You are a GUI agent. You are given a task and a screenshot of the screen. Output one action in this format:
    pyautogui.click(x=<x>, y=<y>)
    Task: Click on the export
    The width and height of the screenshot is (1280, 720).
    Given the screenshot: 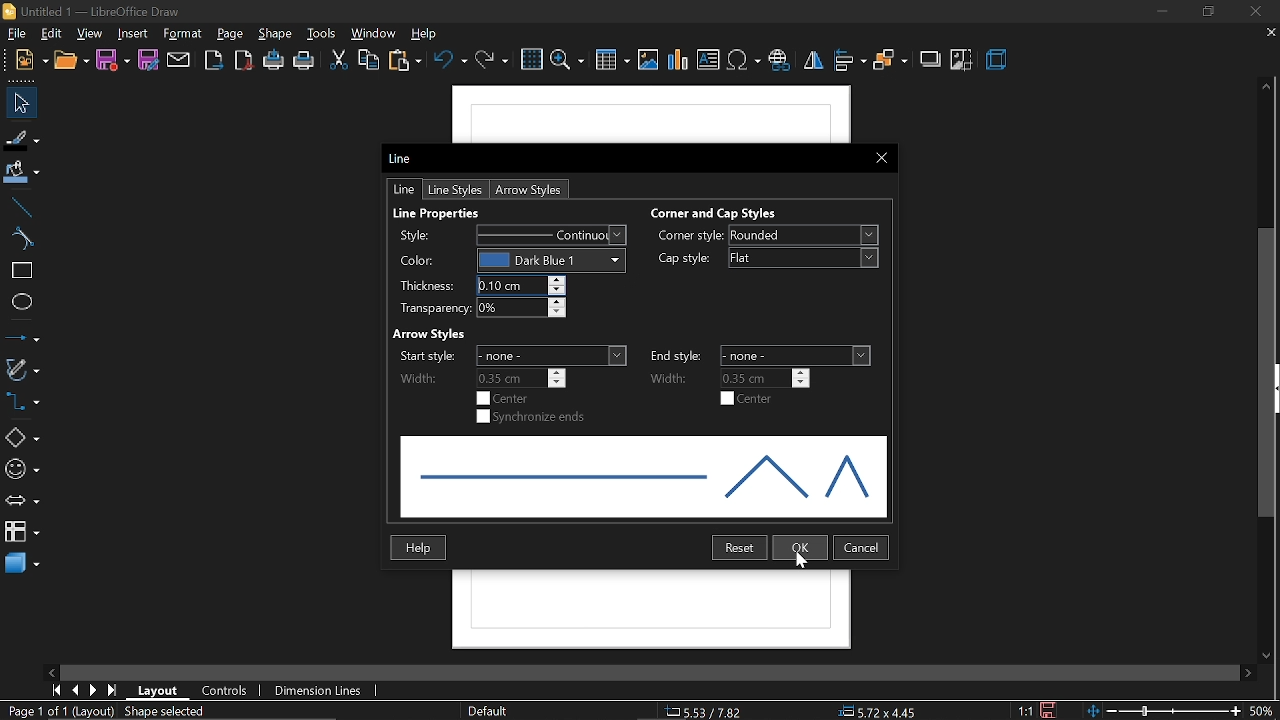 What is the action you would take?
    pyautogui.click(x=214, y=61)
    